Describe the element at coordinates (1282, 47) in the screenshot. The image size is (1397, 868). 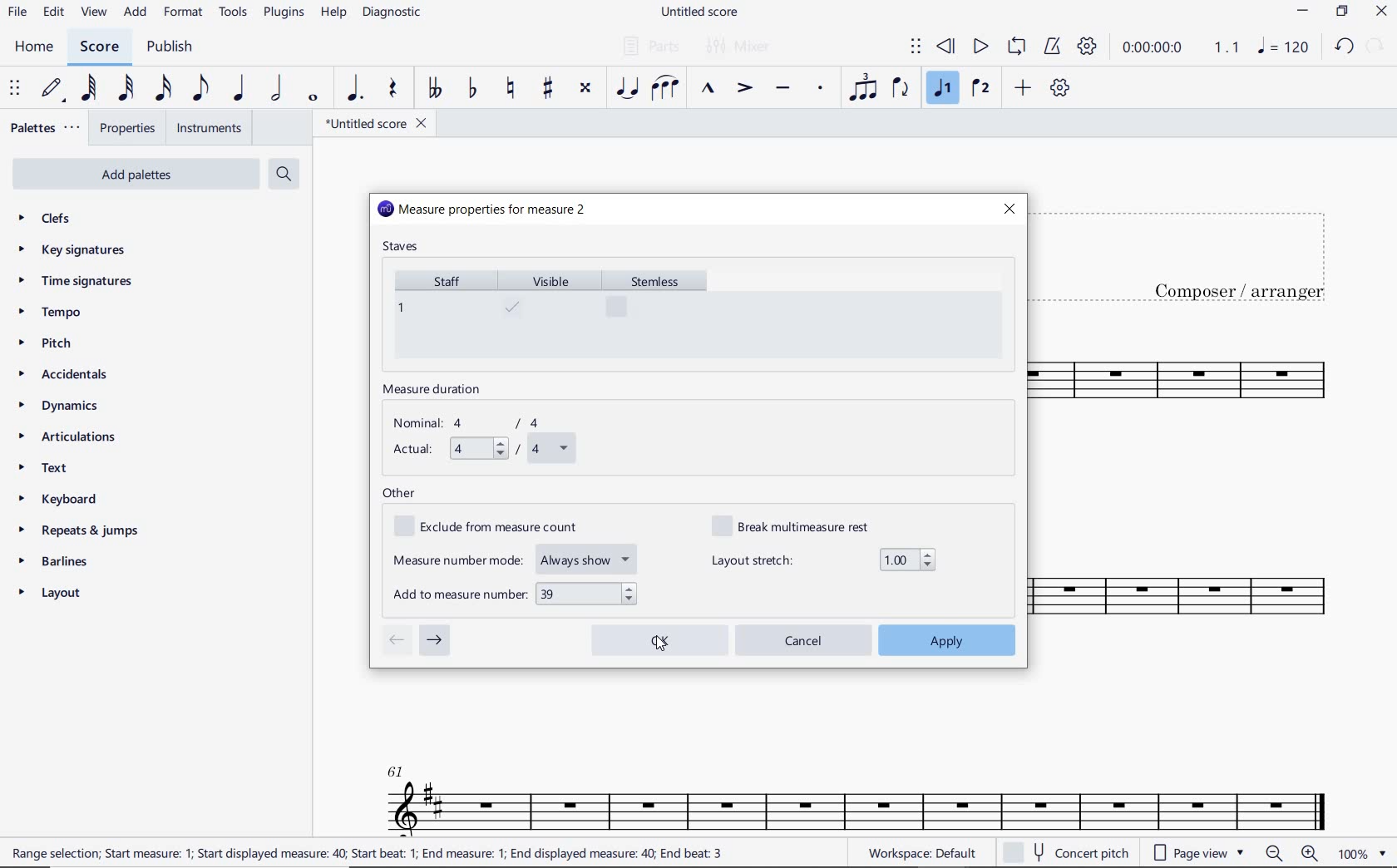
I see `NOTE` at that location.